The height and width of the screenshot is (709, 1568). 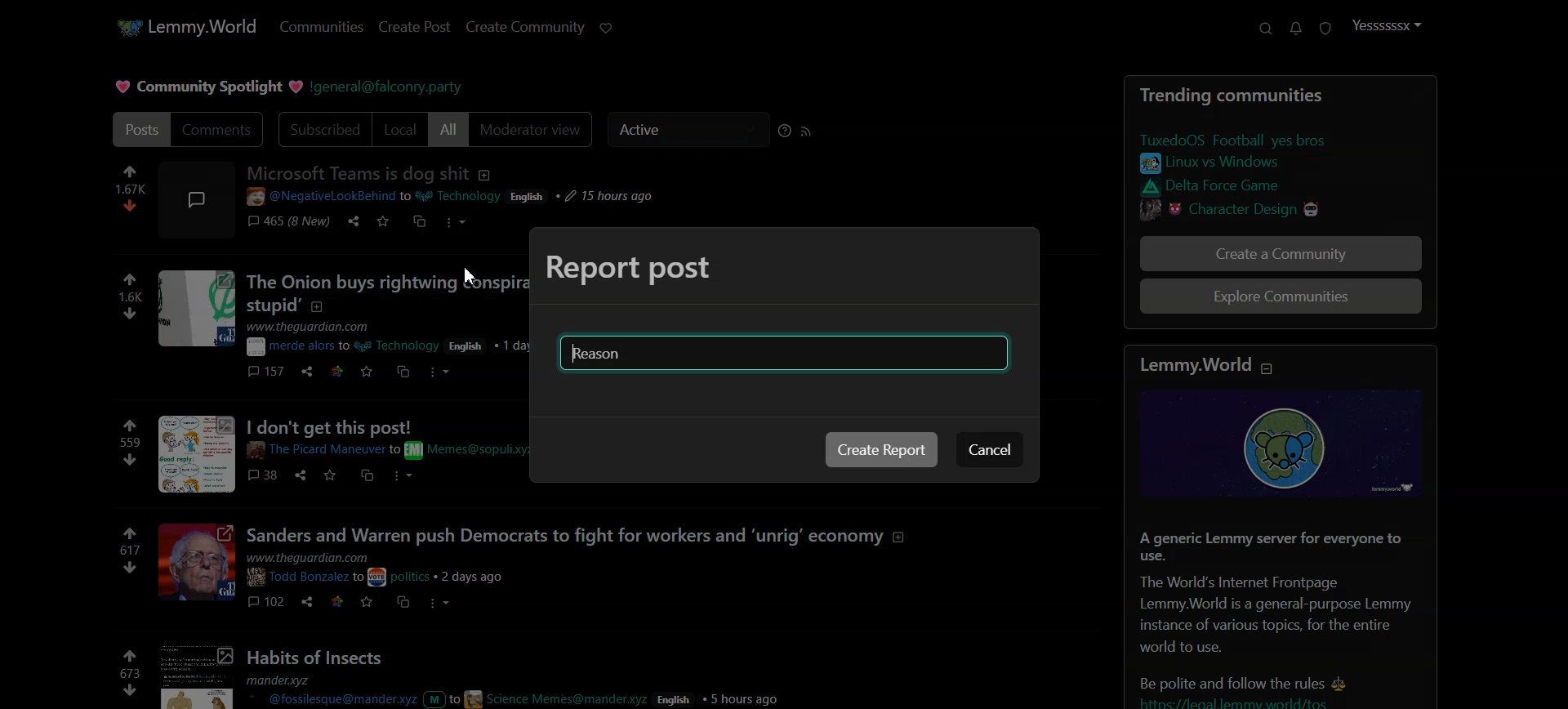 What do you see at coordinates (1290, 447) in the screenshot?
I see `image` at bounding box center [1290, 447].